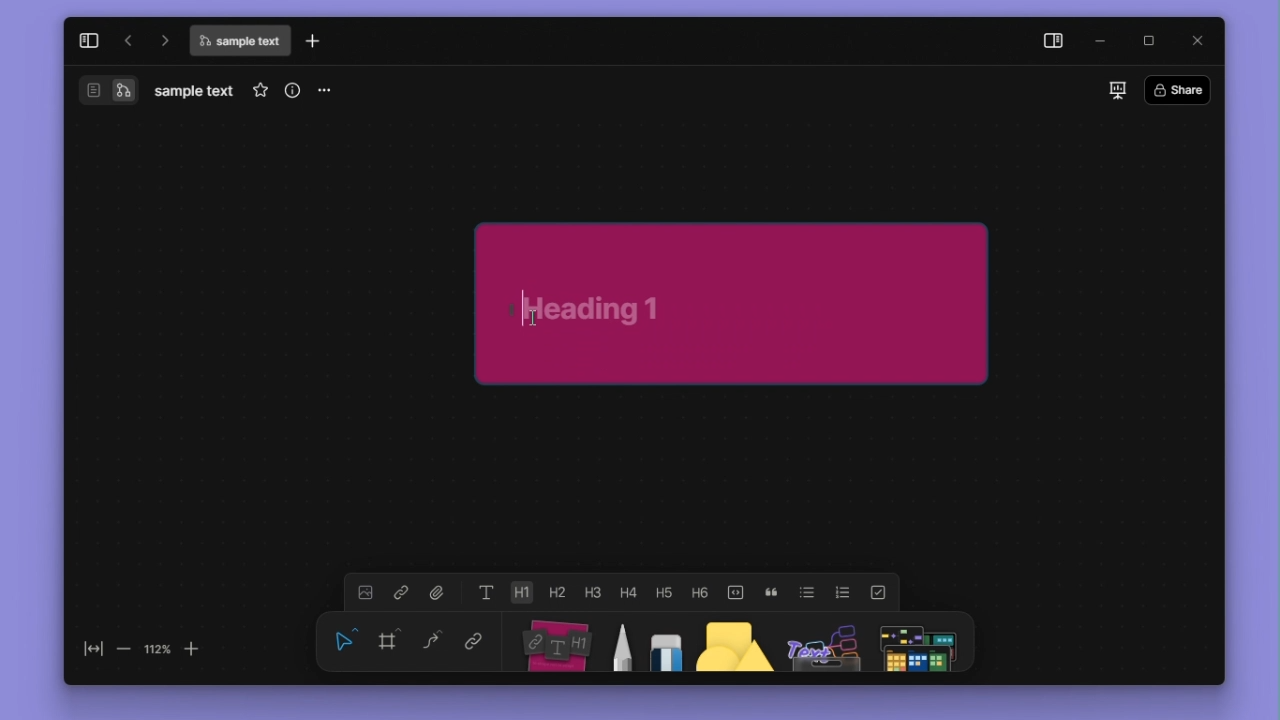 The width and height of the screenshot is (1280, 720). What do you see at coordinates (664, 592) in the screenshot?
I see `Heading 5` at bounding box center [664, 592].